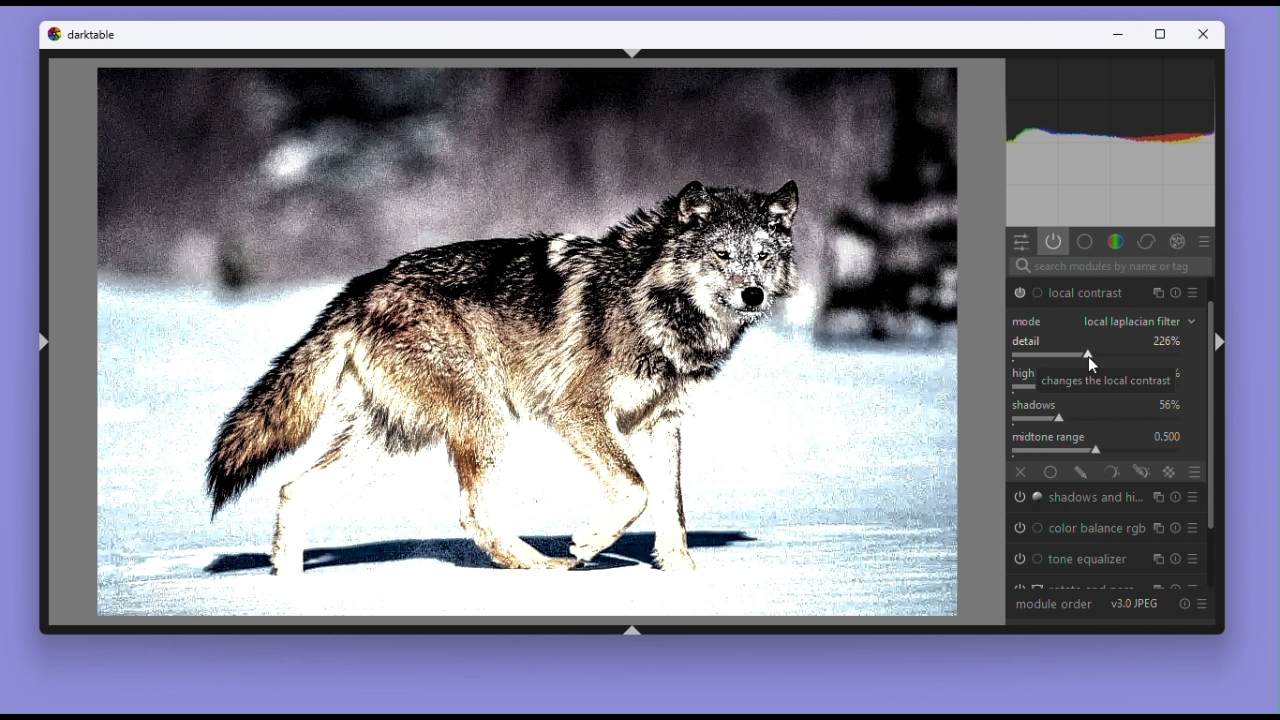  Describe the element at coordinates (1203, 241) in the screenshot. I see `Preset` at that location.